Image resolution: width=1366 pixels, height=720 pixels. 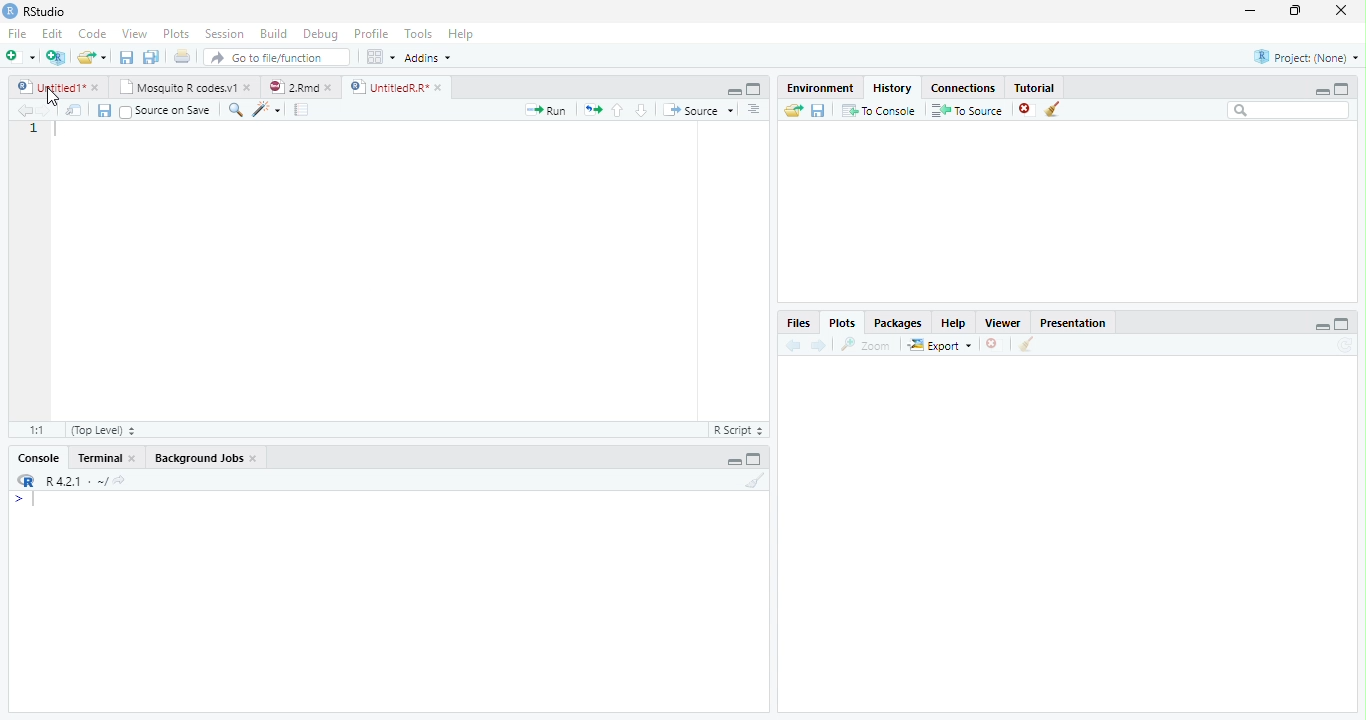 I want to click on Environment, so click(x=818, y=88).